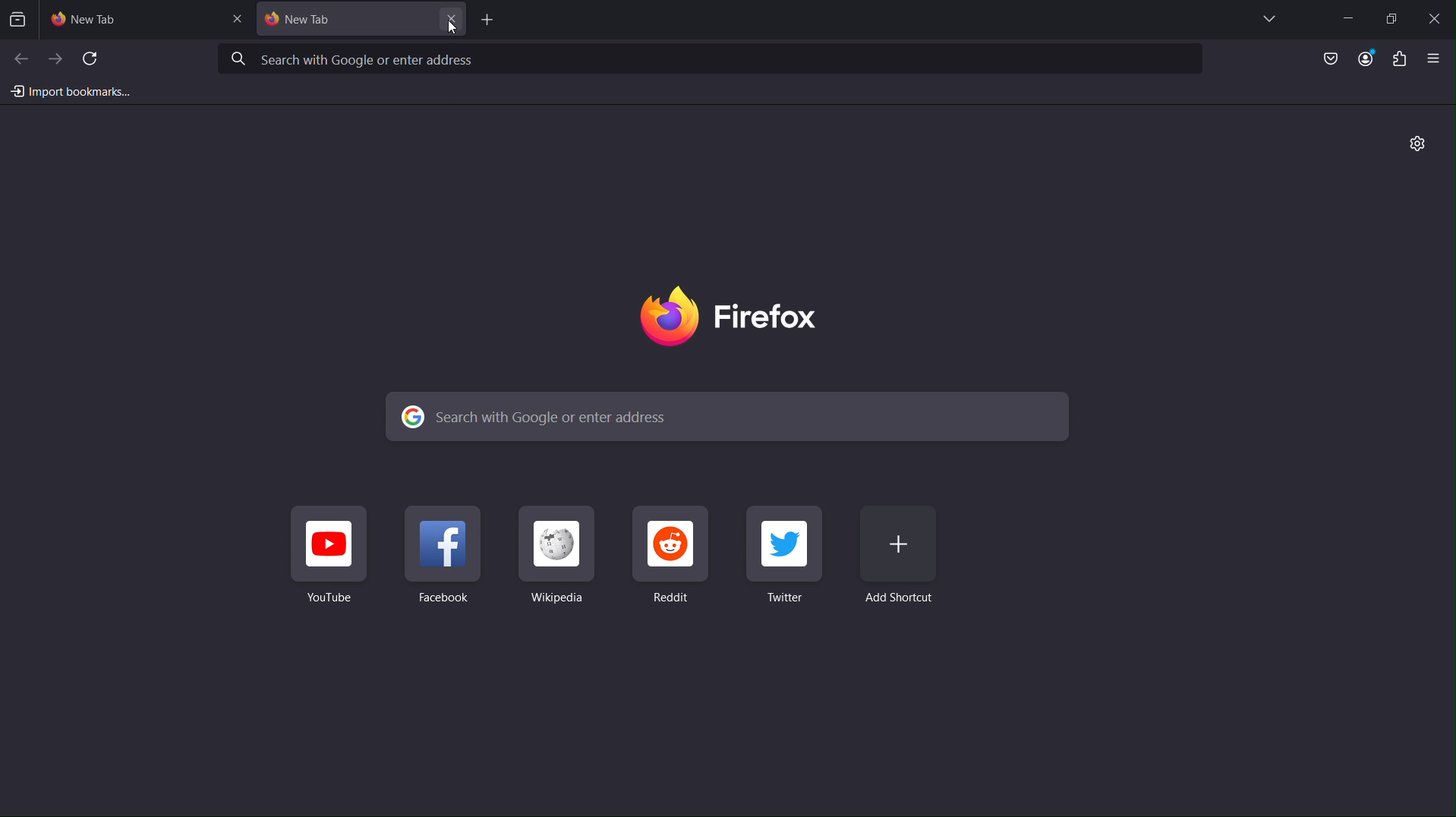  I want to click on cursor, so click(446, 28).